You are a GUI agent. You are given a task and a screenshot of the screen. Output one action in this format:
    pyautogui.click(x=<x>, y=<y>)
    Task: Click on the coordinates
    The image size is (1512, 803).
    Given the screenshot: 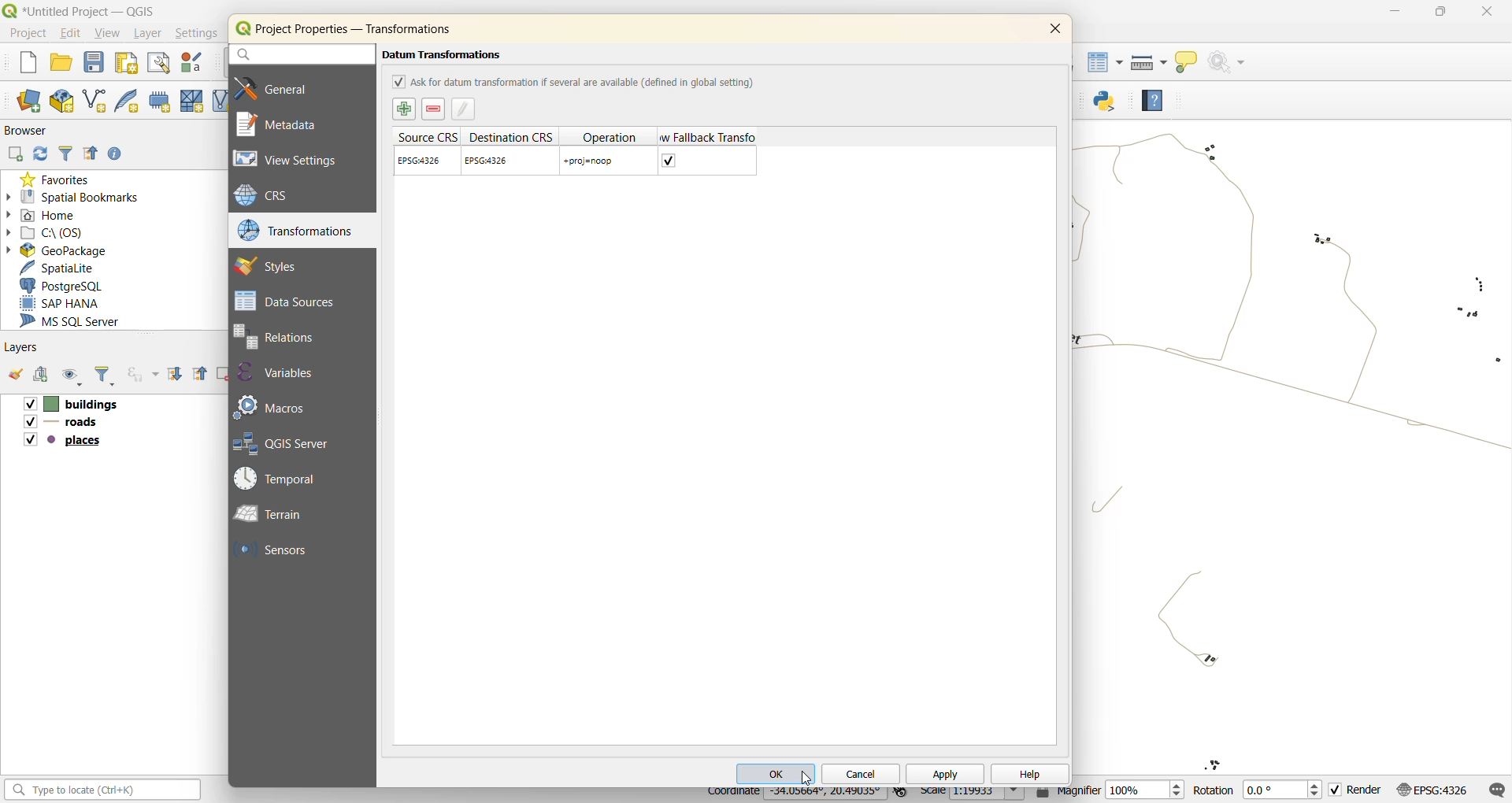 What is the action you would take?
    pyautogui.click(x=795, y=795)
    